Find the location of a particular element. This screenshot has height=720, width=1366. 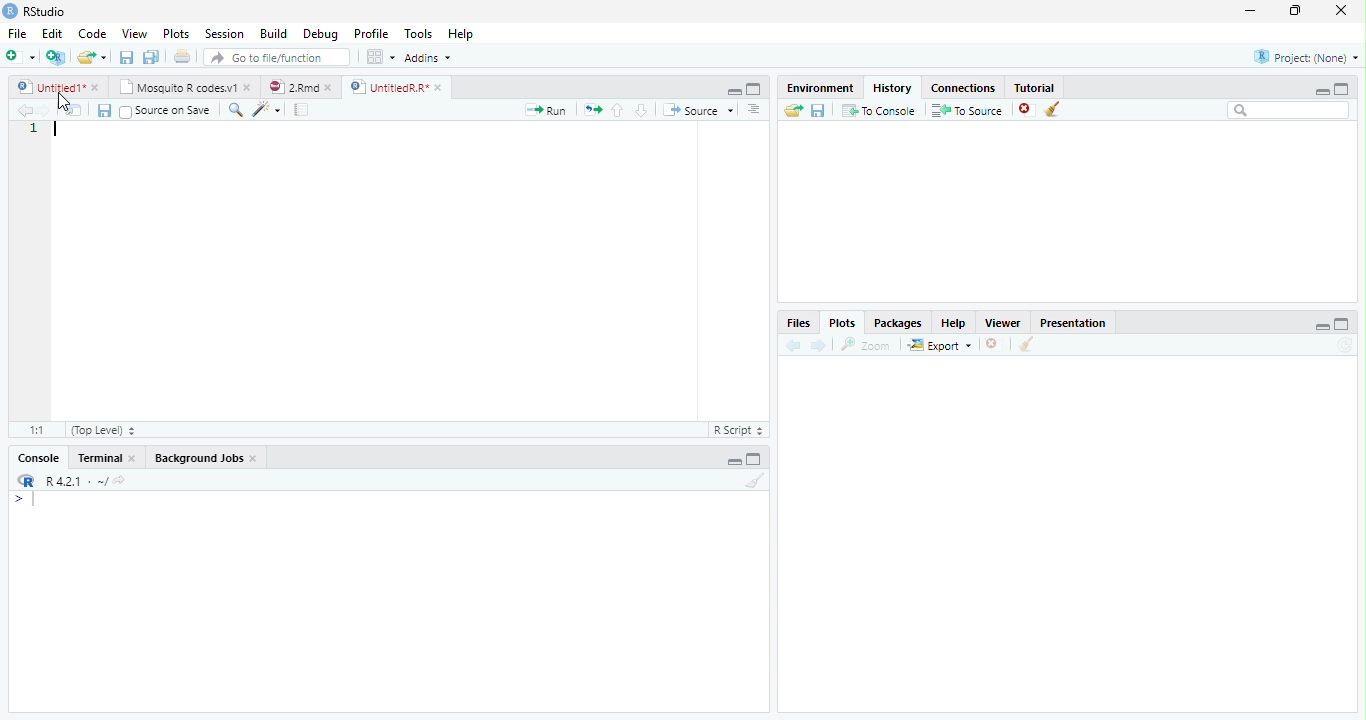

Addins is located at coordinates (426, 57).